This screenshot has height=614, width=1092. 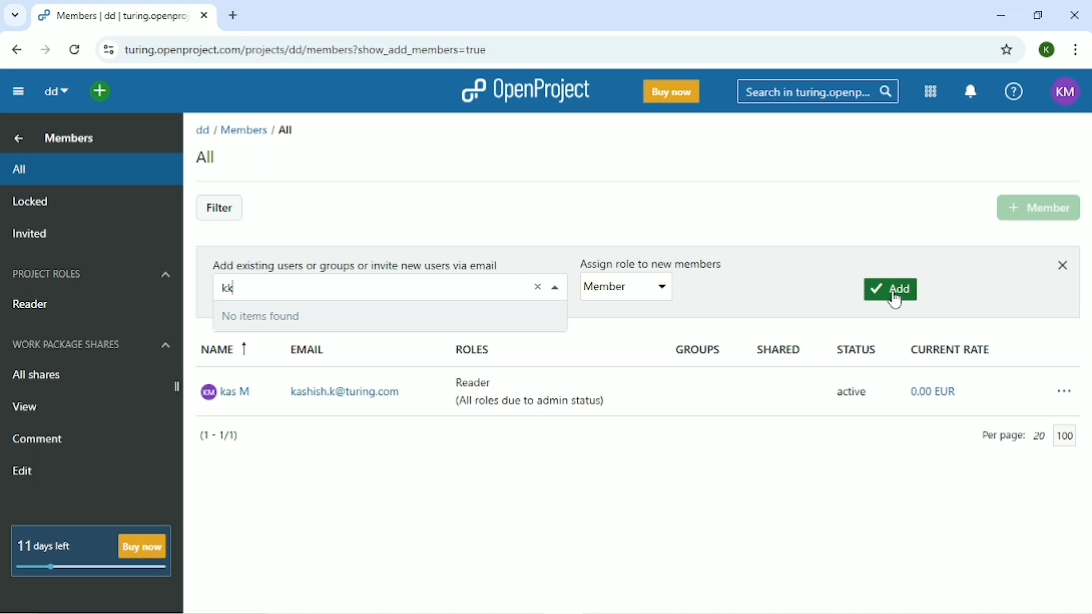 What do you see at coordinates (14, 16) in the screenshot?
I see `Search tabs` at bounding box center [14, 16].